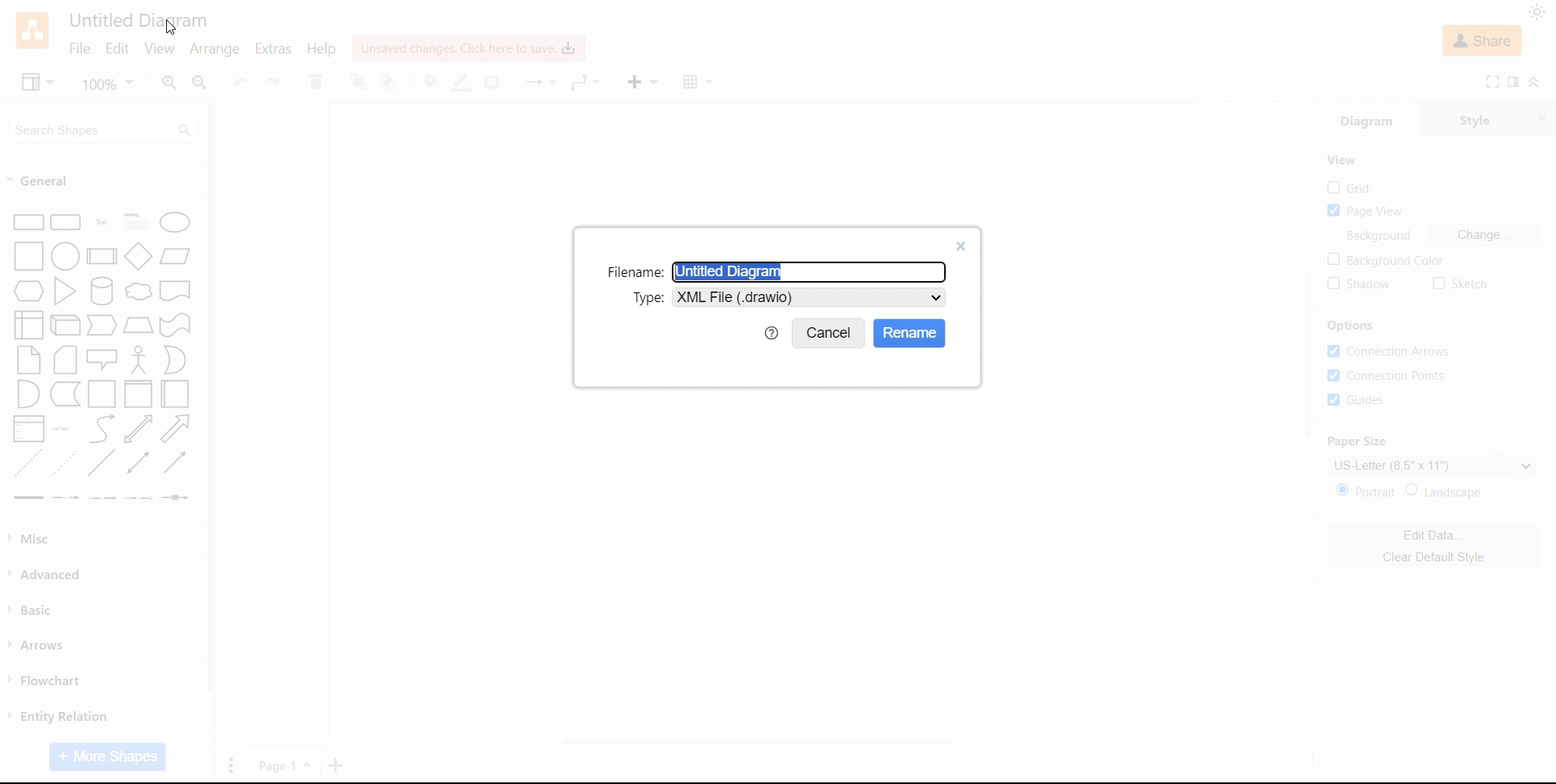 This screenshot has width=1556, height=784. What do you see at coordinates (284, 764) in the screenshot?
I see `Page one ` at bounding box center [284, 764].